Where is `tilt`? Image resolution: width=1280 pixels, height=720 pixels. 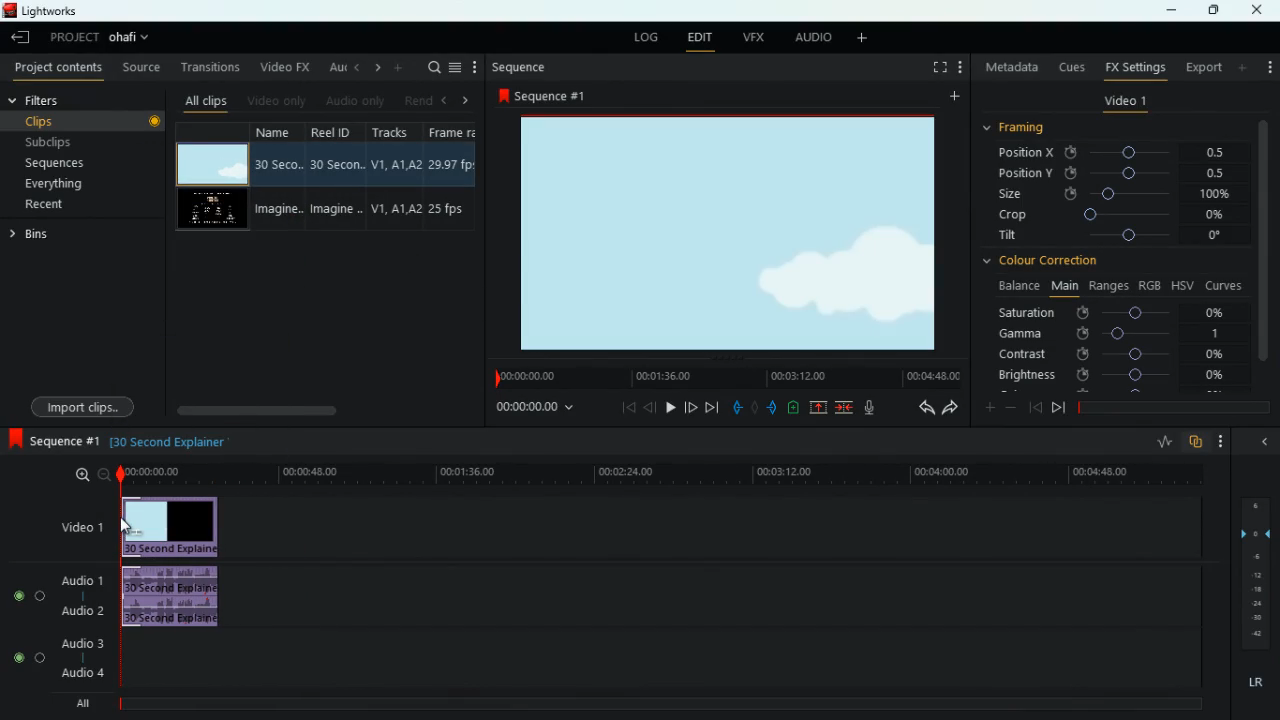 tilt is located at coordinates (1112, 238).